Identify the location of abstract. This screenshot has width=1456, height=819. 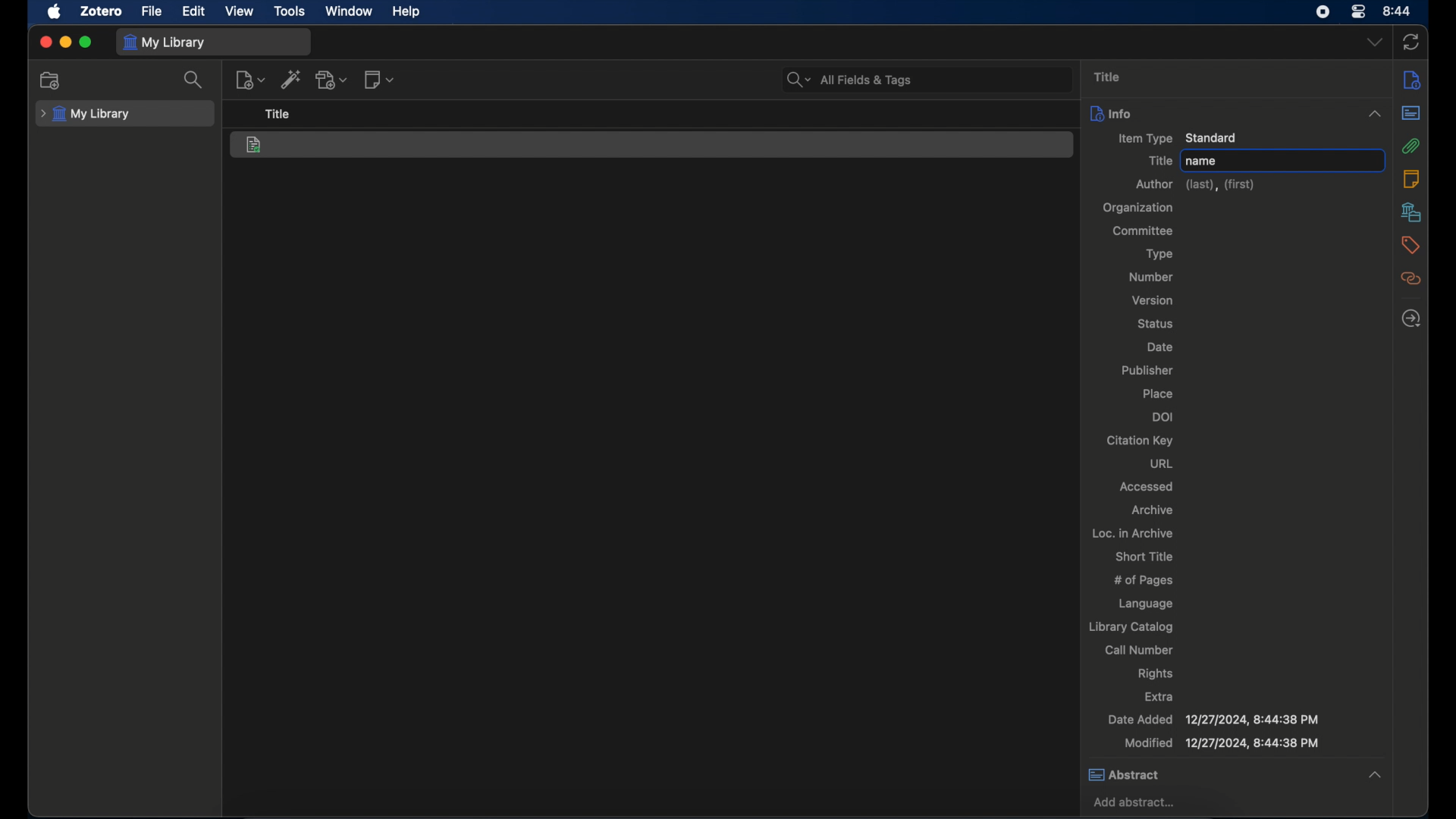
(1214, 776).